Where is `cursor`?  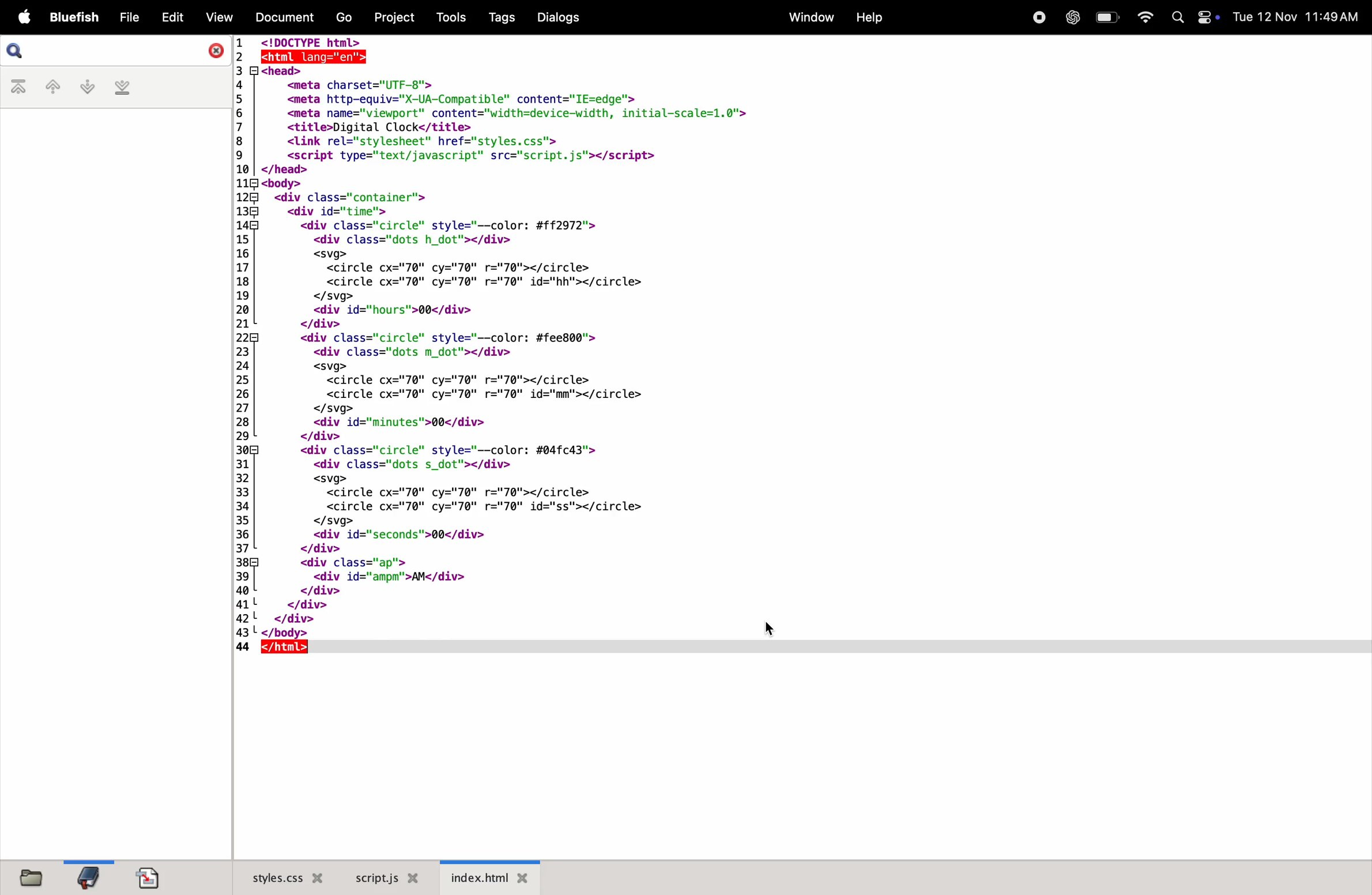
cursor is located at coordinates (772, 631).